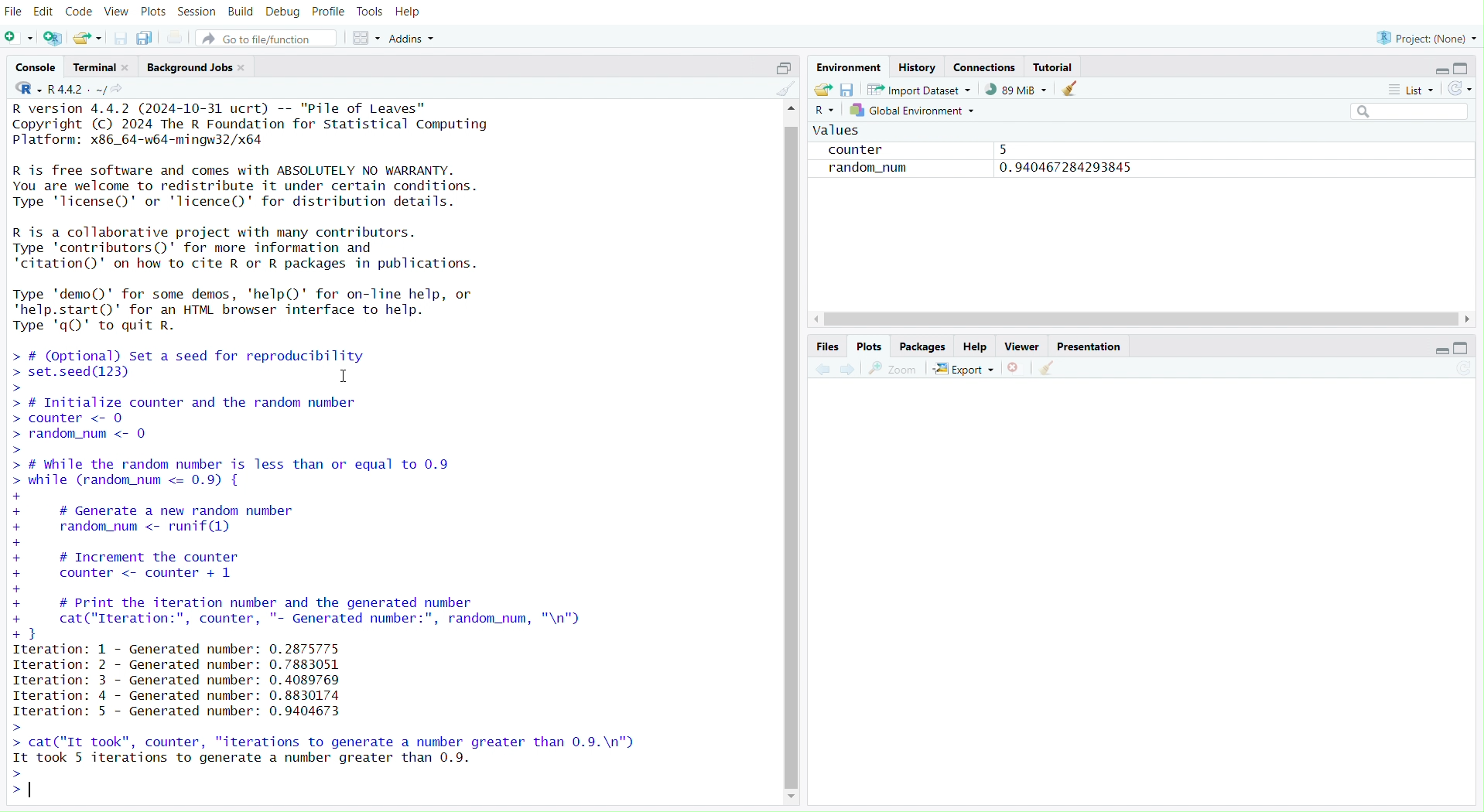 This screenshot has height=812, width=1484. Describe the element at coordinates (829, 345) in the screenshot. I see `Files` at that location.